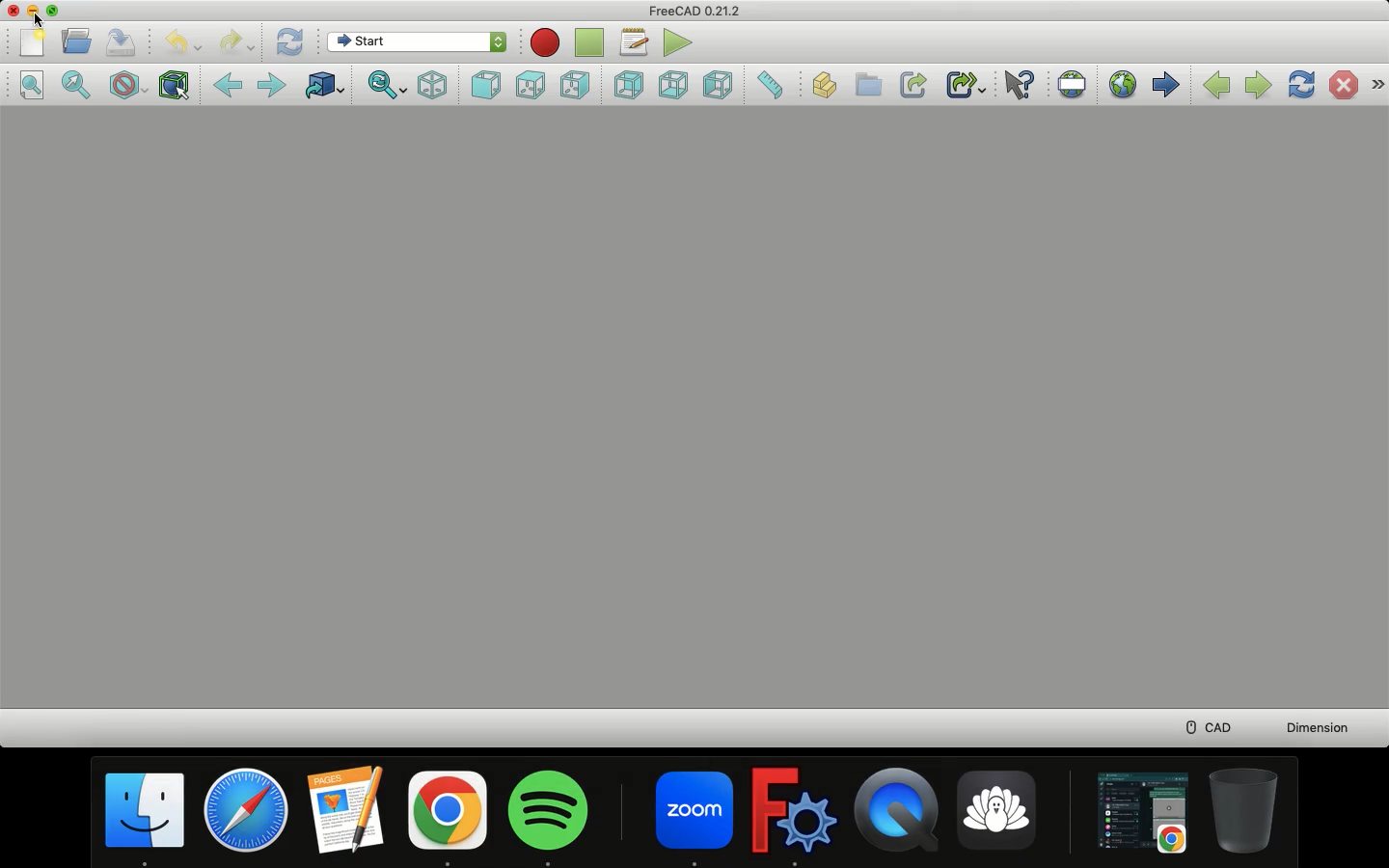  Describe the element at coordinates (1122, 82) in the screenshot. I see `Open website` at that location.